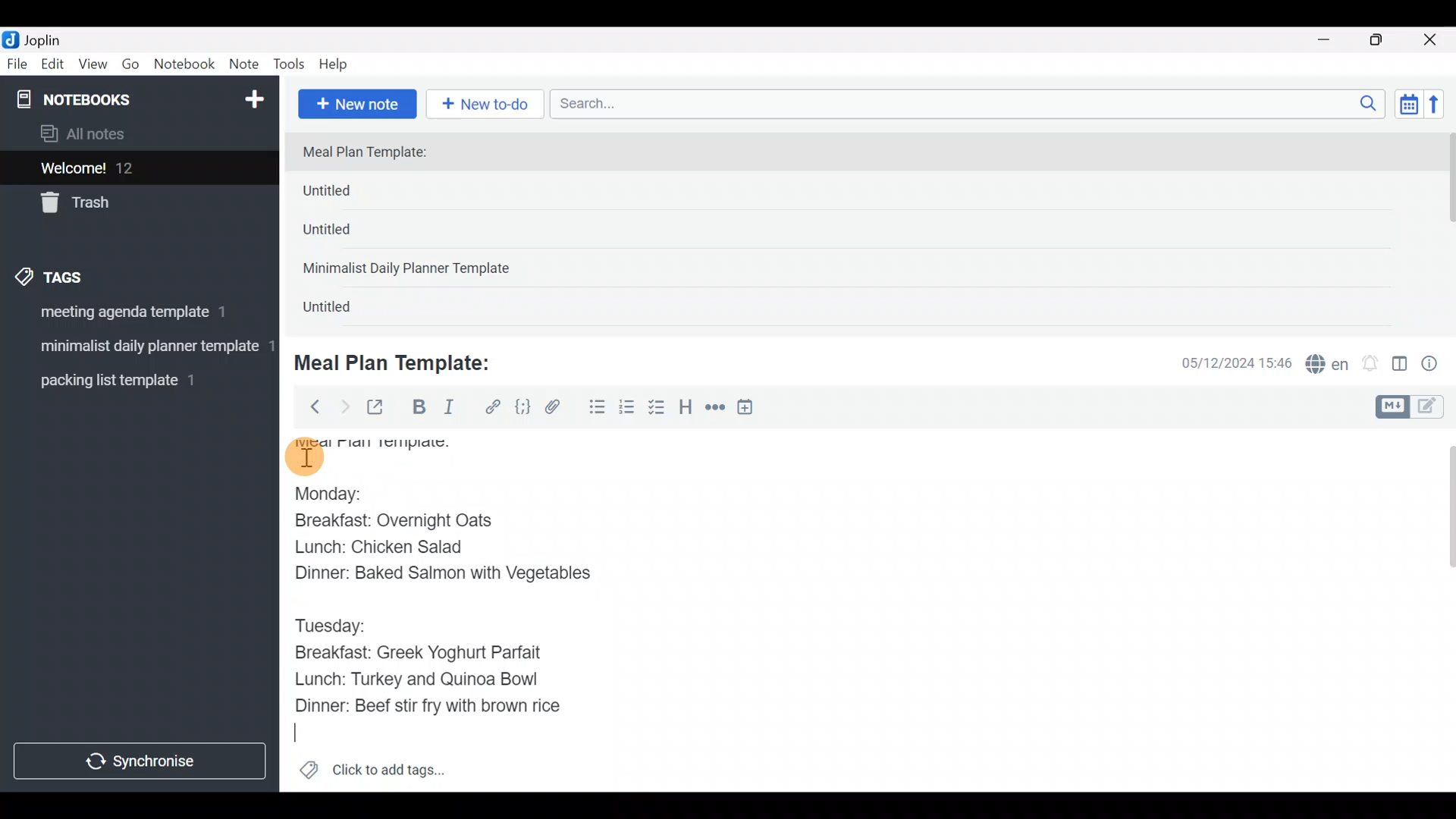 The height and width of the screenshot is (819, 1456). I want to click on Breakfast: Greek Yoghurt Parfait, so click(425, 655).